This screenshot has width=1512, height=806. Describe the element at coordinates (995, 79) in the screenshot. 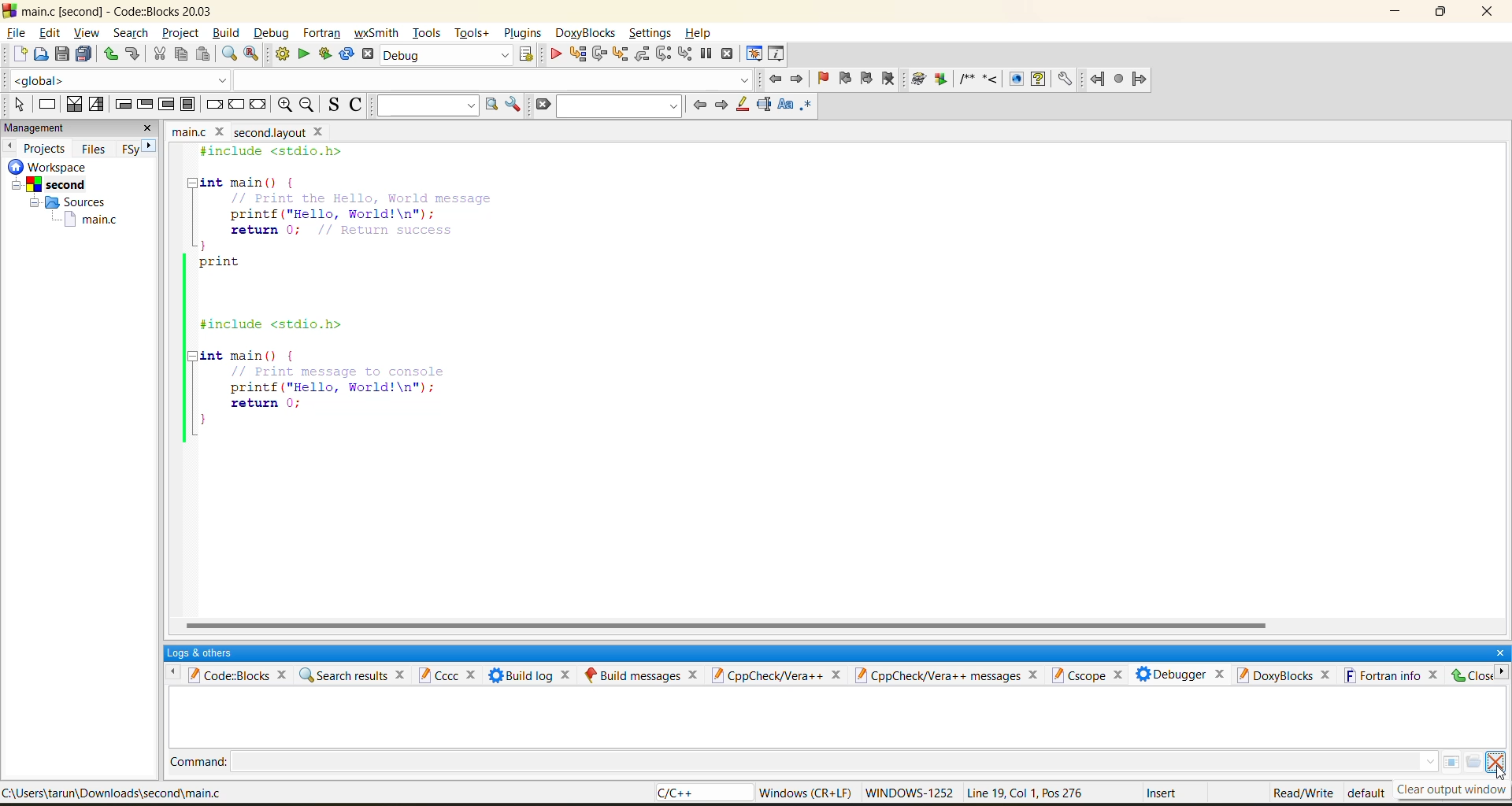

I see `doxyblocks` at that location.